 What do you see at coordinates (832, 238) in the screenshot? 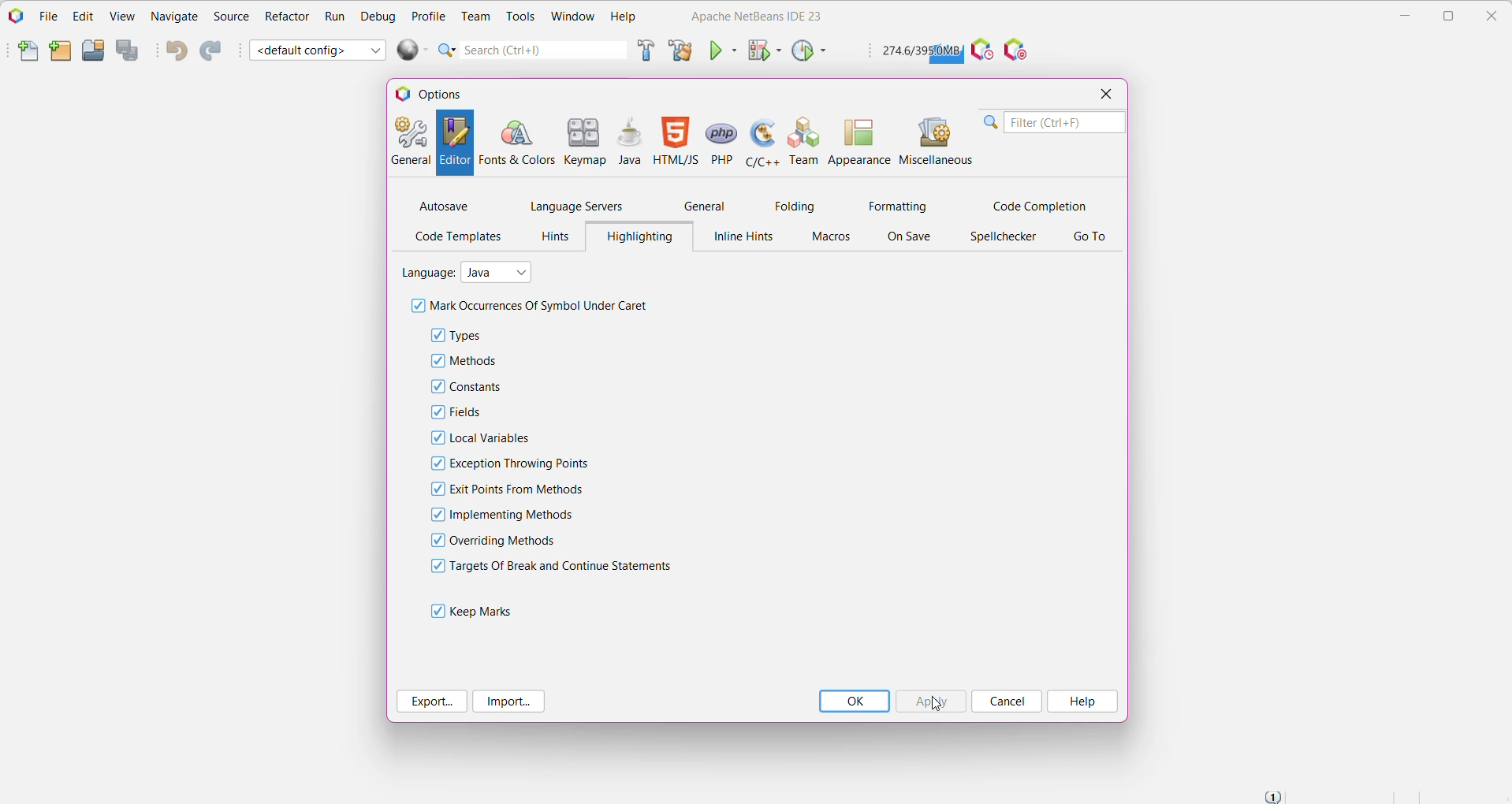
I see `Macros` at bounding box center [832, 238].